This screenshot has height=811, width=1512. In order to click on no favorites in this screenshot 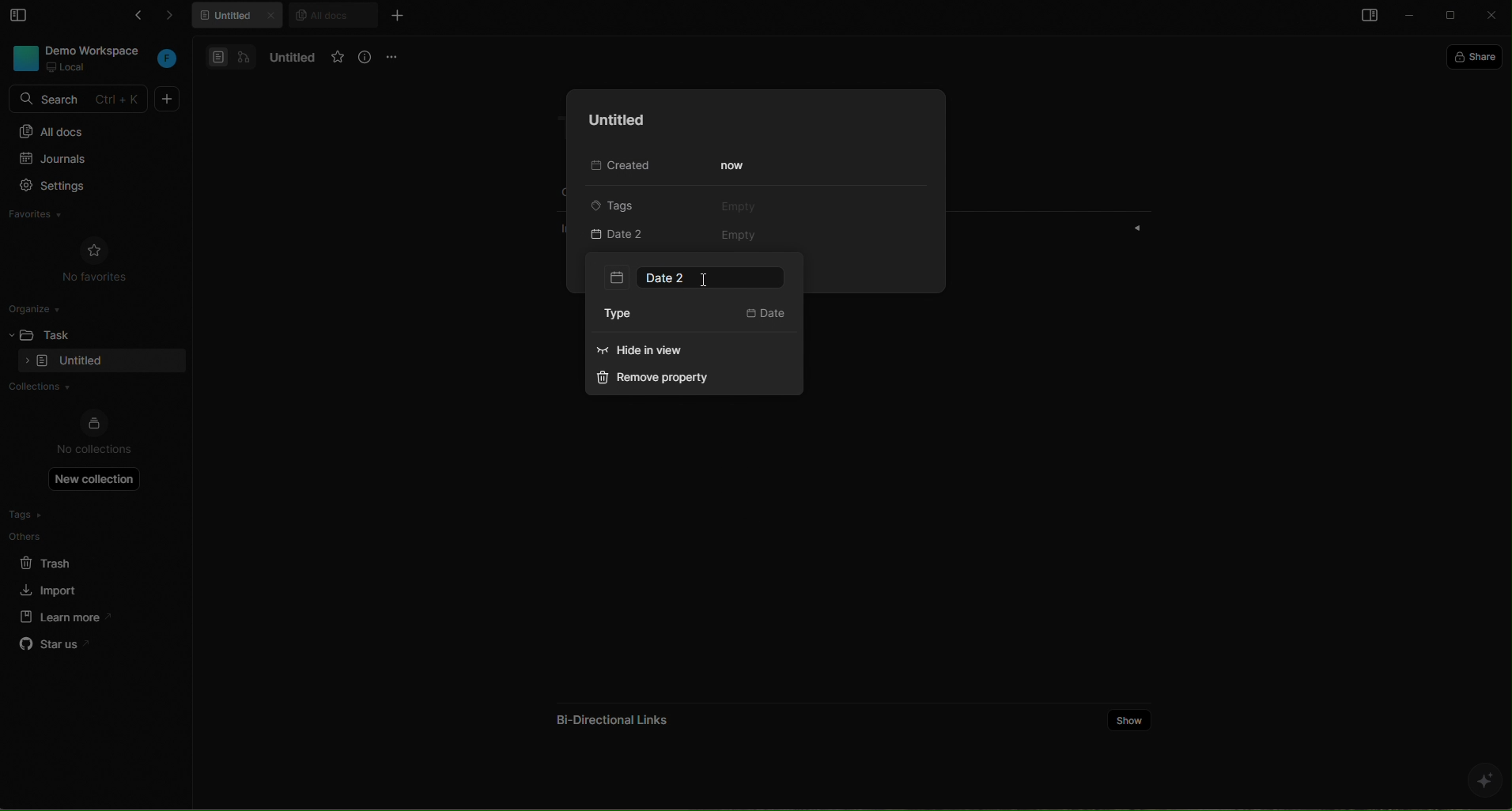, I will do `click(95, 258)`.